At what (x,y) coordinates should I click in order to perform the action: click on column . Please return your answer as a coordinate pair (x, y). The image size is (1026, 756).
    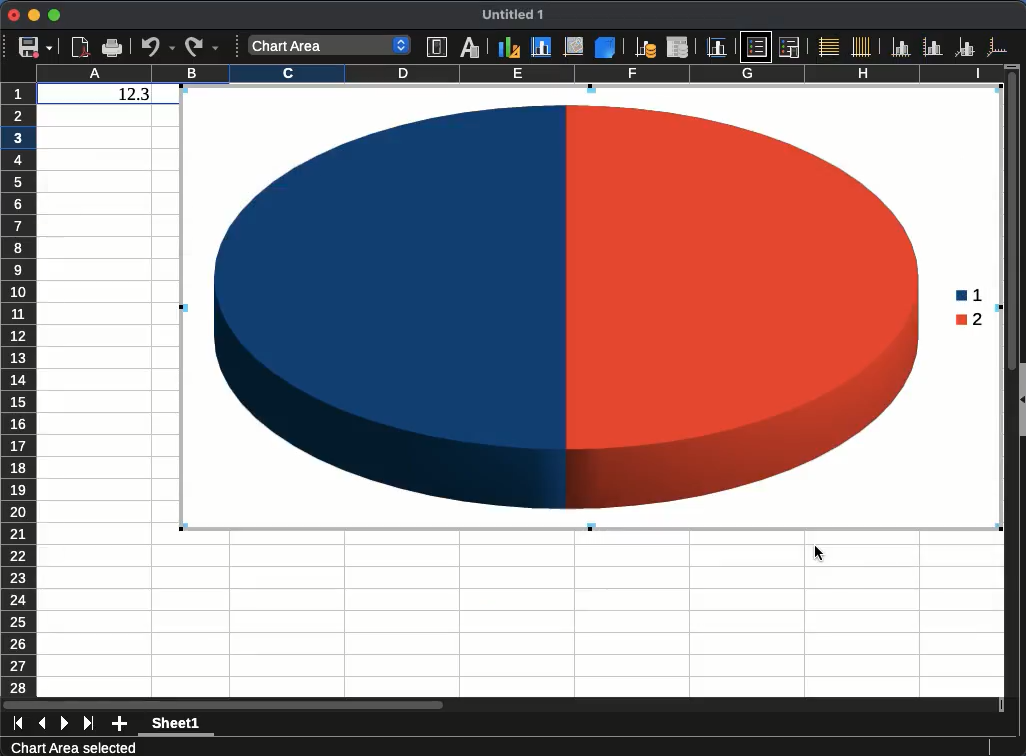
    Looking at the image, I should click on (519, 72).